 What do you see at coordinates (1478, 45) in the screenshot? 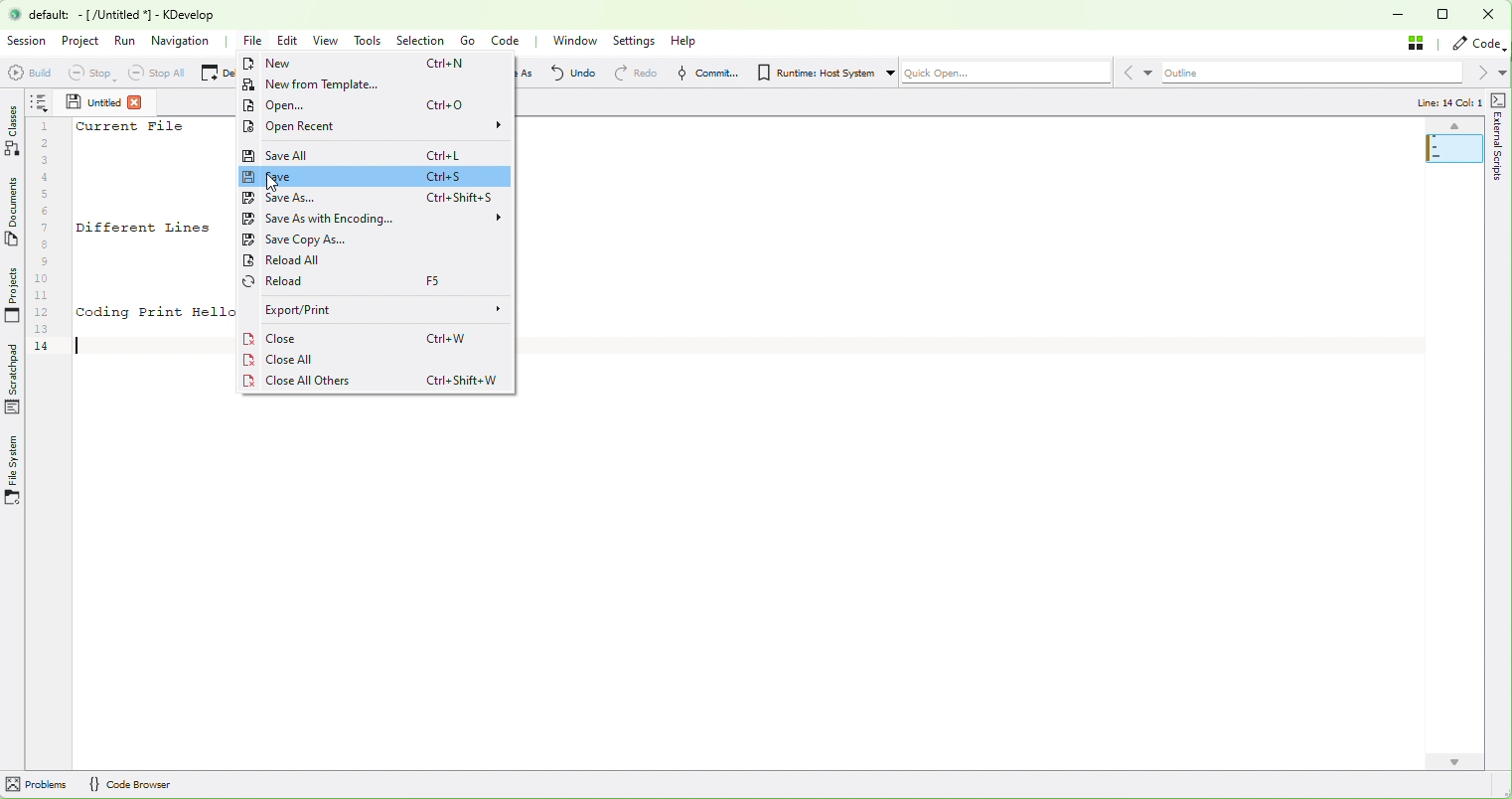
I see `Code` at bounding box center [1478, 45].